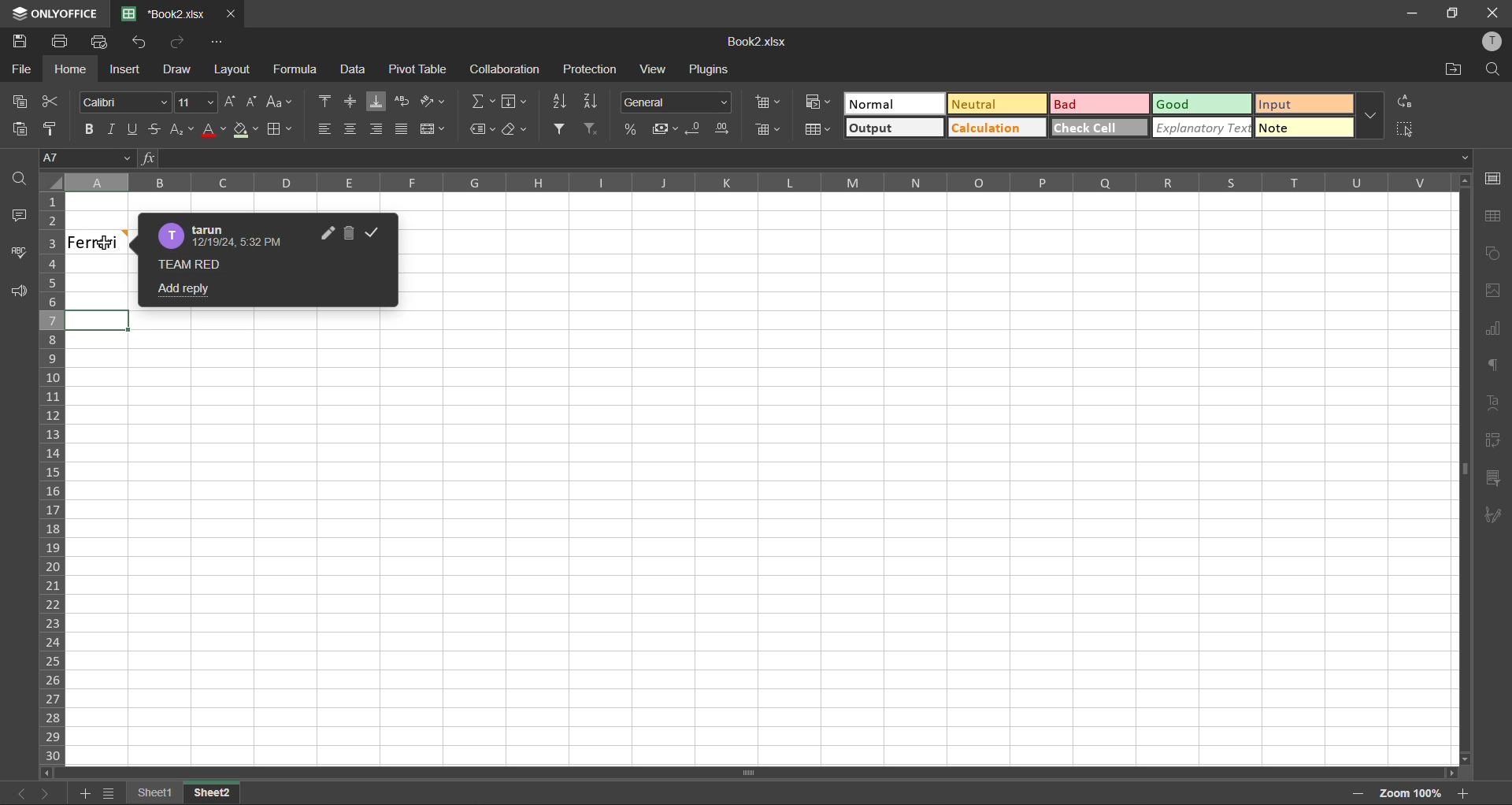  What do you see at coordinates (403, 102) in the screenshot?
I see `wrap text` at bounding box center [403, 102].